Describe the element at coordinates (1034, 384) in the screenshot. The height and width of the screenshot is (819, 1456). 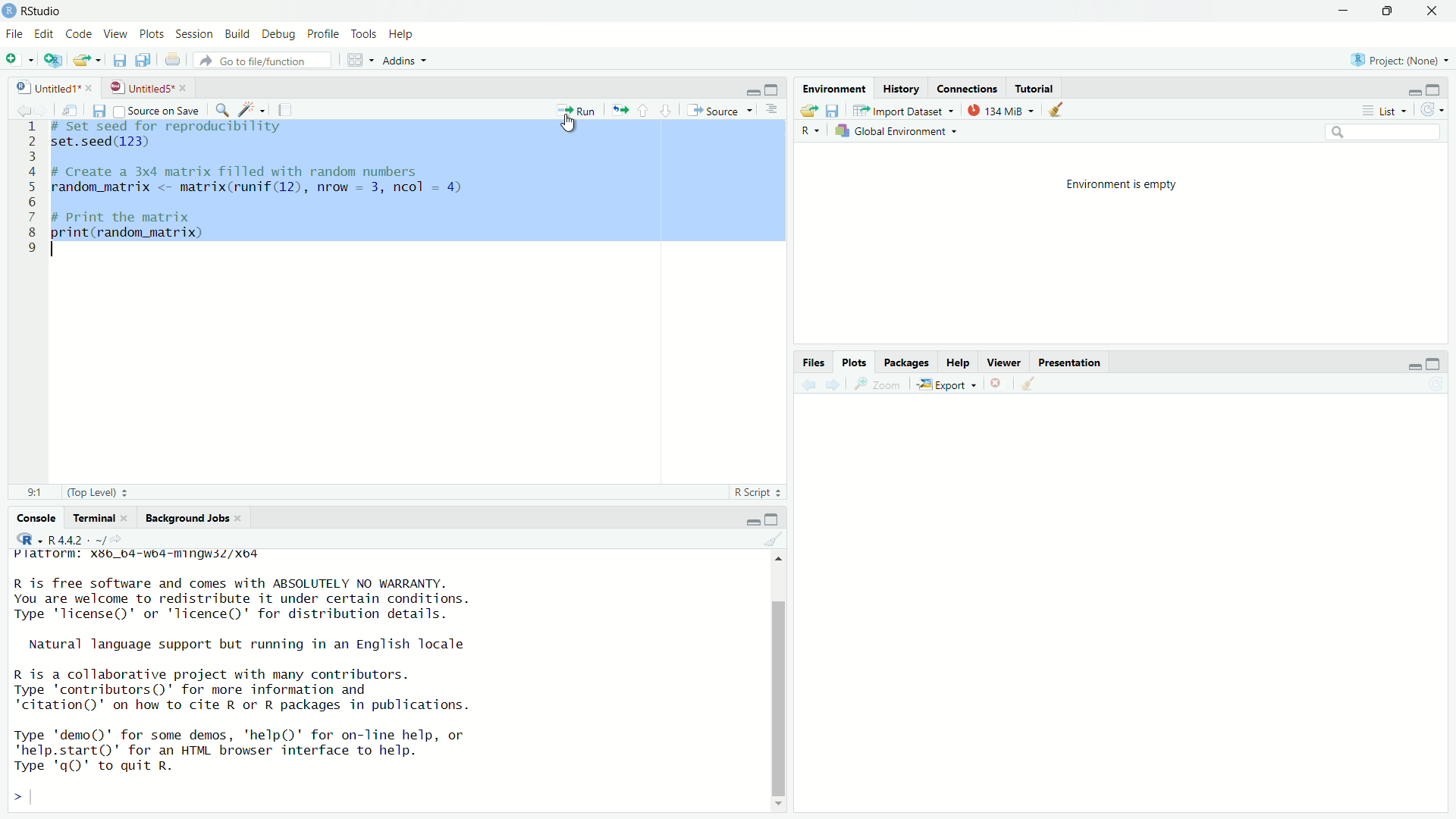
I see `clear` at that location.